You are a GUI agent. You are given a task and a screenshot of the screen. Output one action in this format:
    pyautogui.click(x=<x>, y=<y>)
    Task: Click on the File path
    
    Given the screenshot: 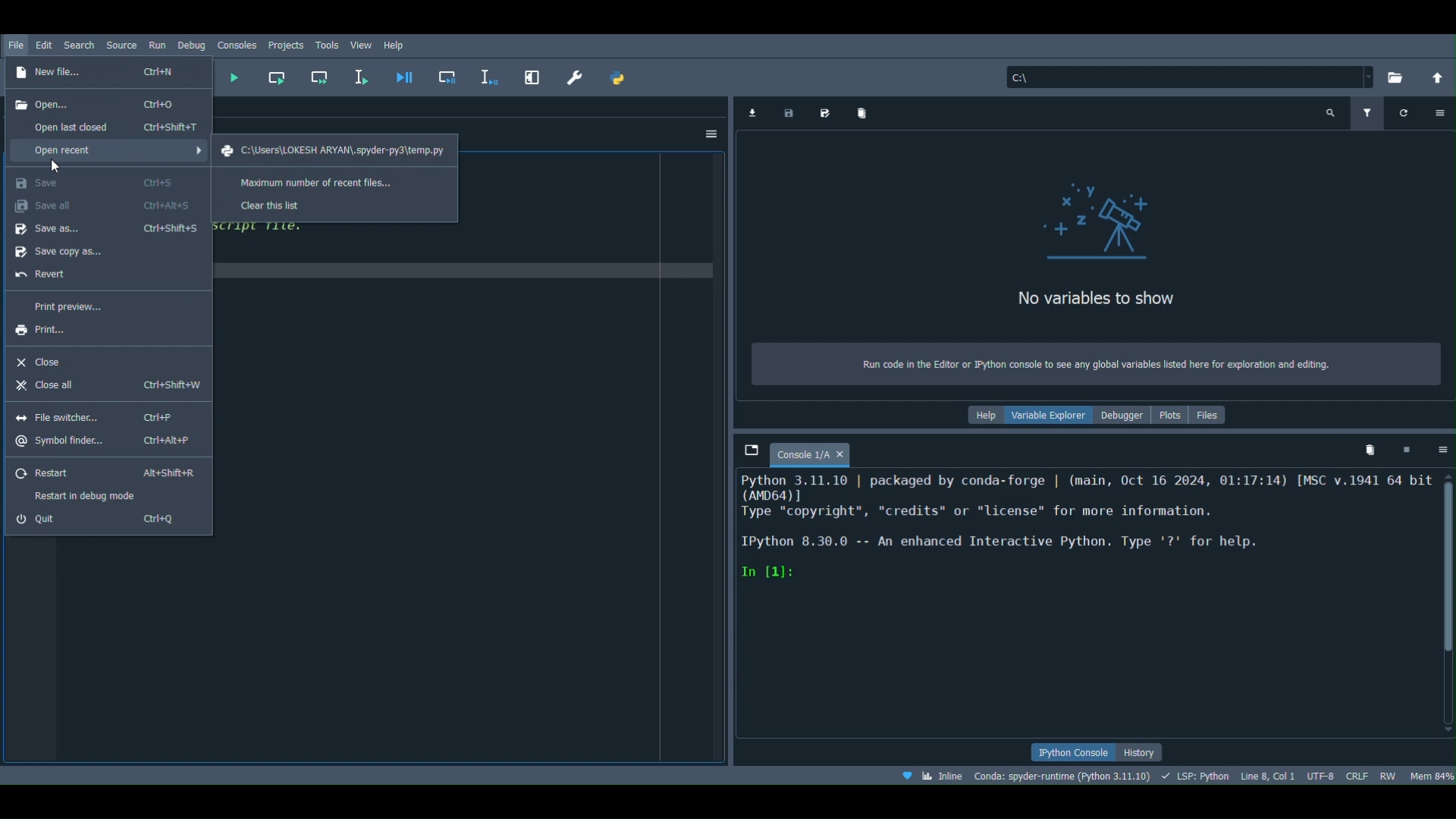 What is the action you would take?
    pyautogui.click(x=327, y=149)
    